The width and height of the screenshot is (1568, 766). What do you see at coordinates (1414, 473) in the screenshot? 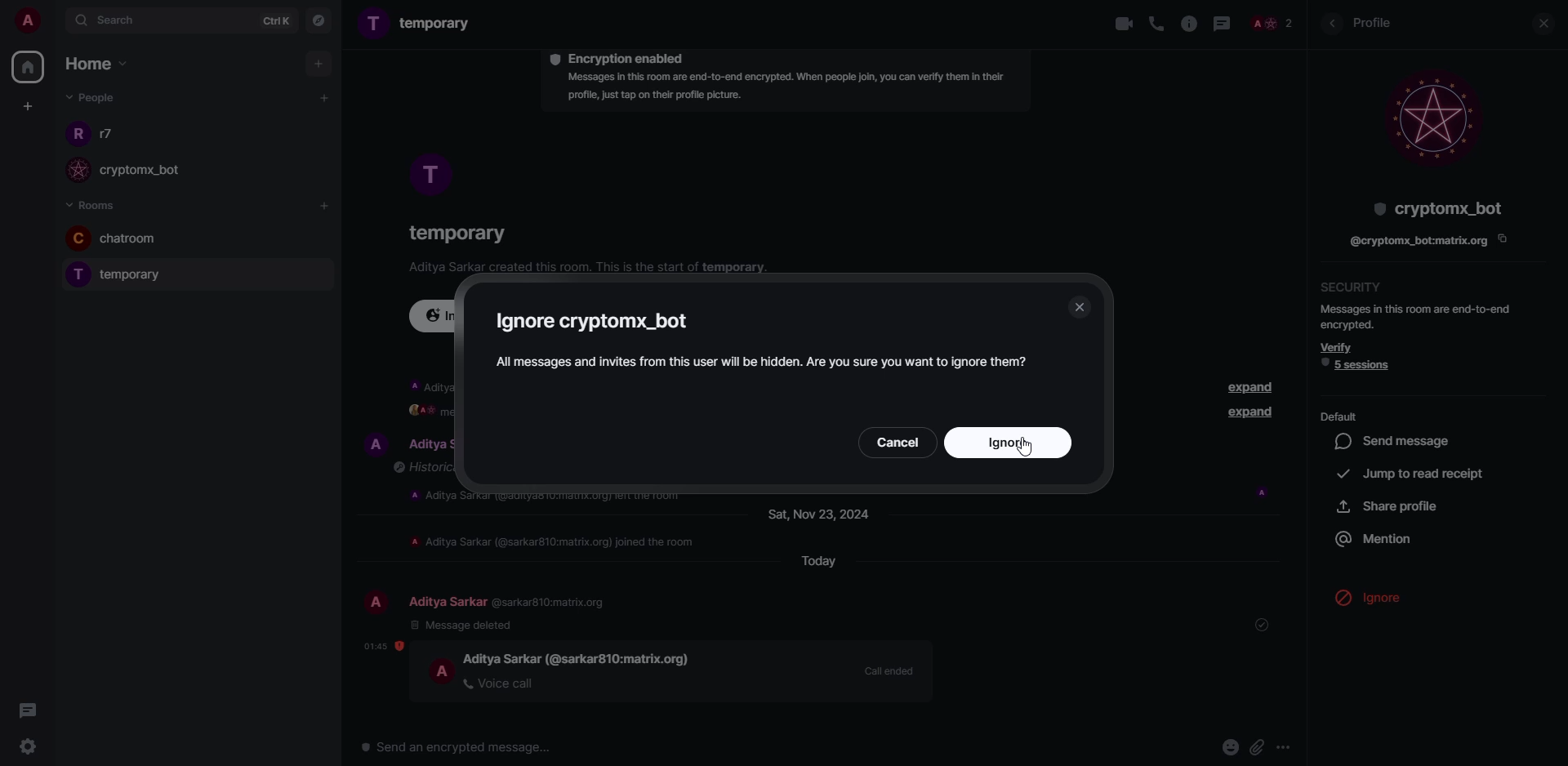
I see `jump to read receipt` at bounding box center [1414, 473].